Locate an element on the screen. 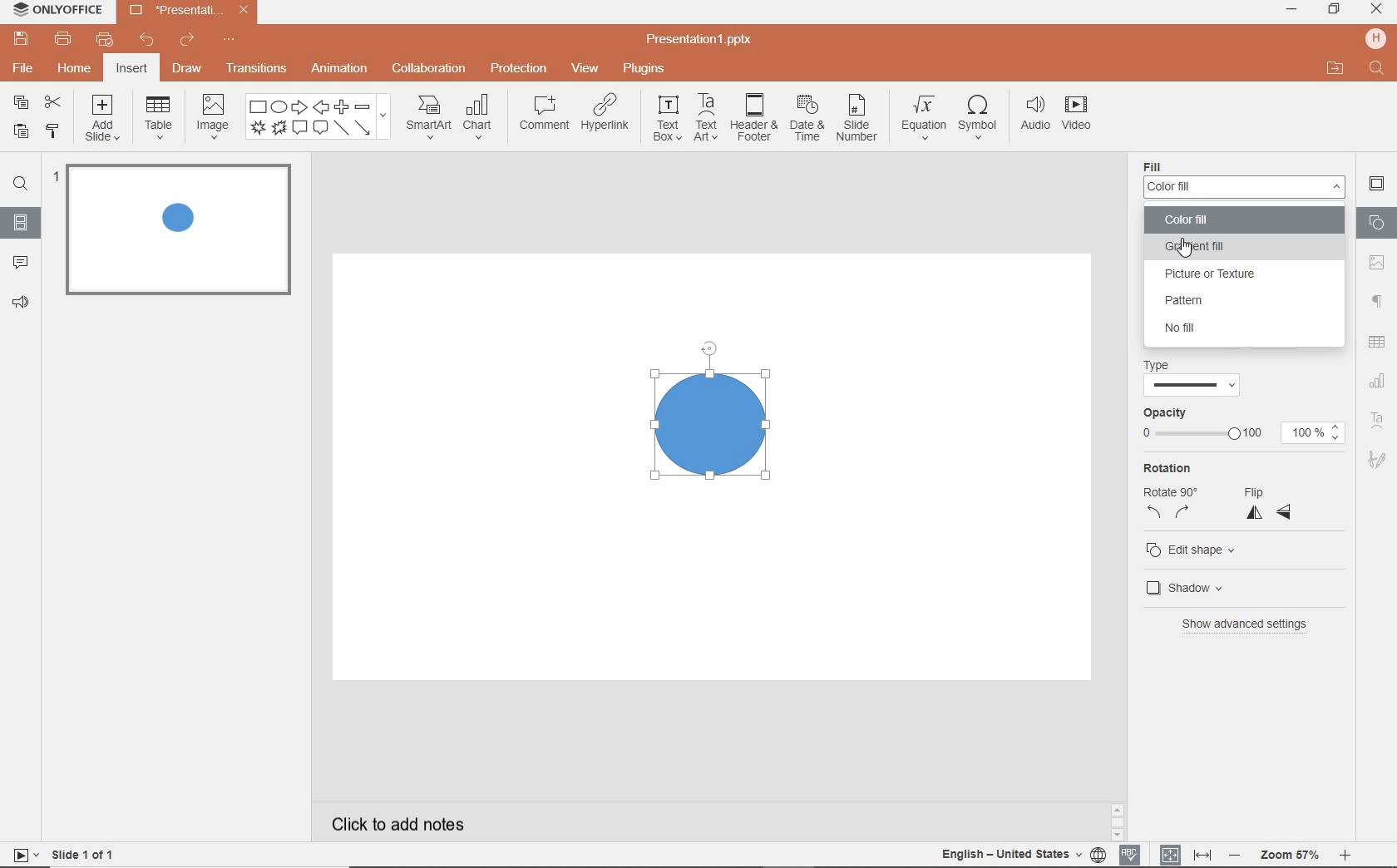  symbol is located at coordinates (977, 118).